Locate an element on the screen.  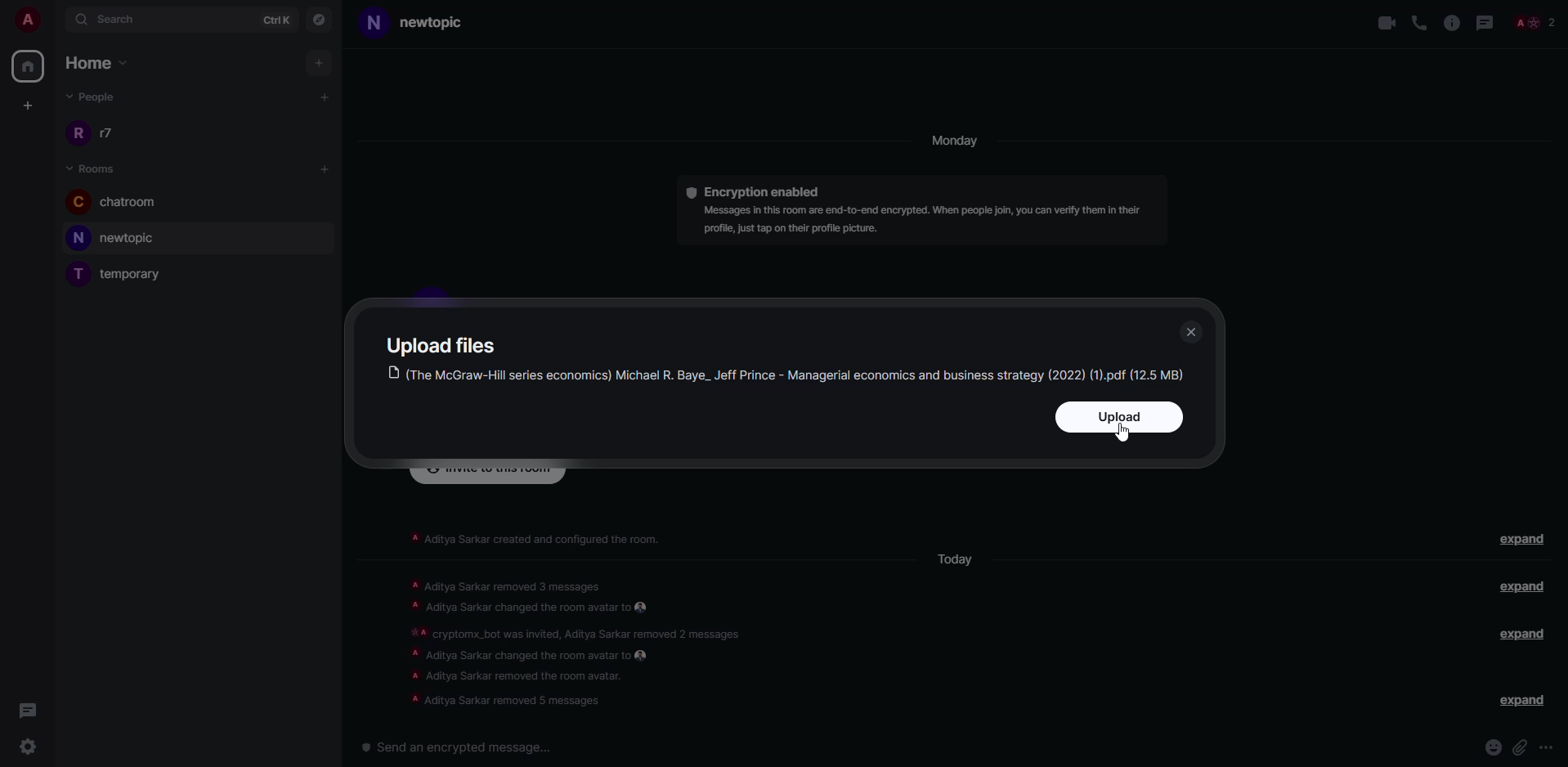
 is located at coordinates (1540, 21).